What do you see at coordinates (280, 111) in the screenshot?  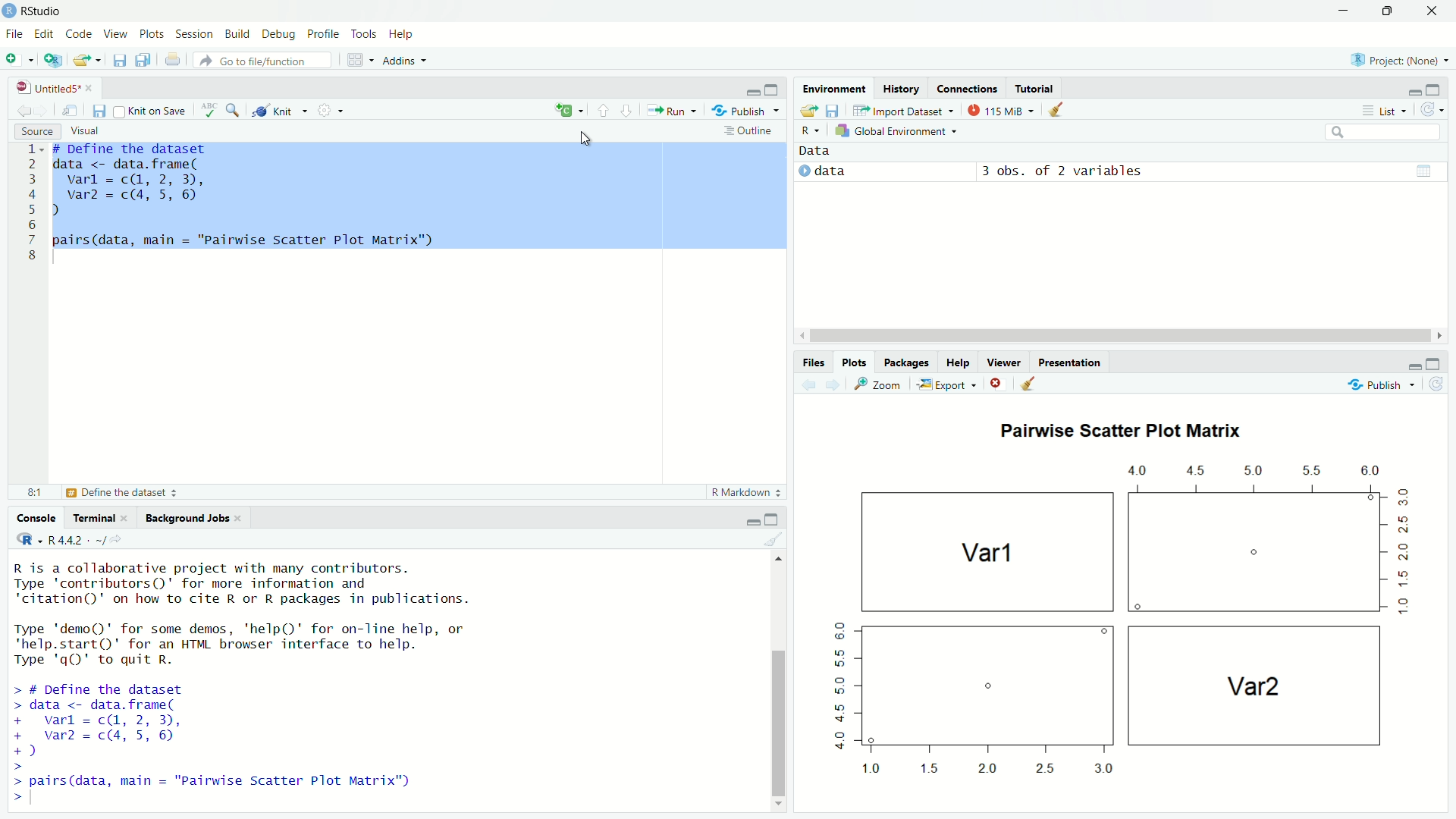 I see `Knit` at bounding box center [280, 111].